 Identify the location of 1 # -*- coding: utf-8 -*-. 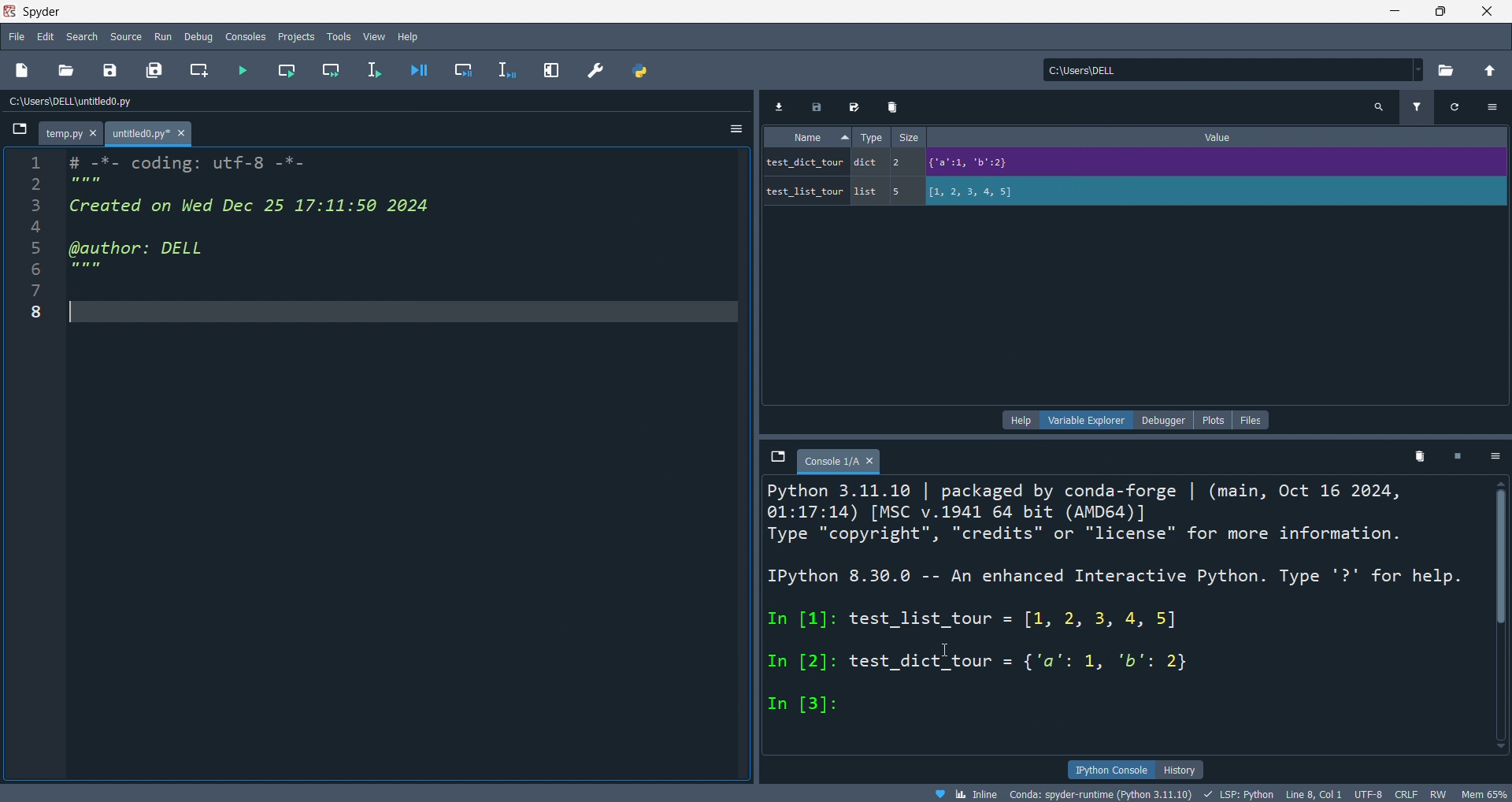
(156, 161).